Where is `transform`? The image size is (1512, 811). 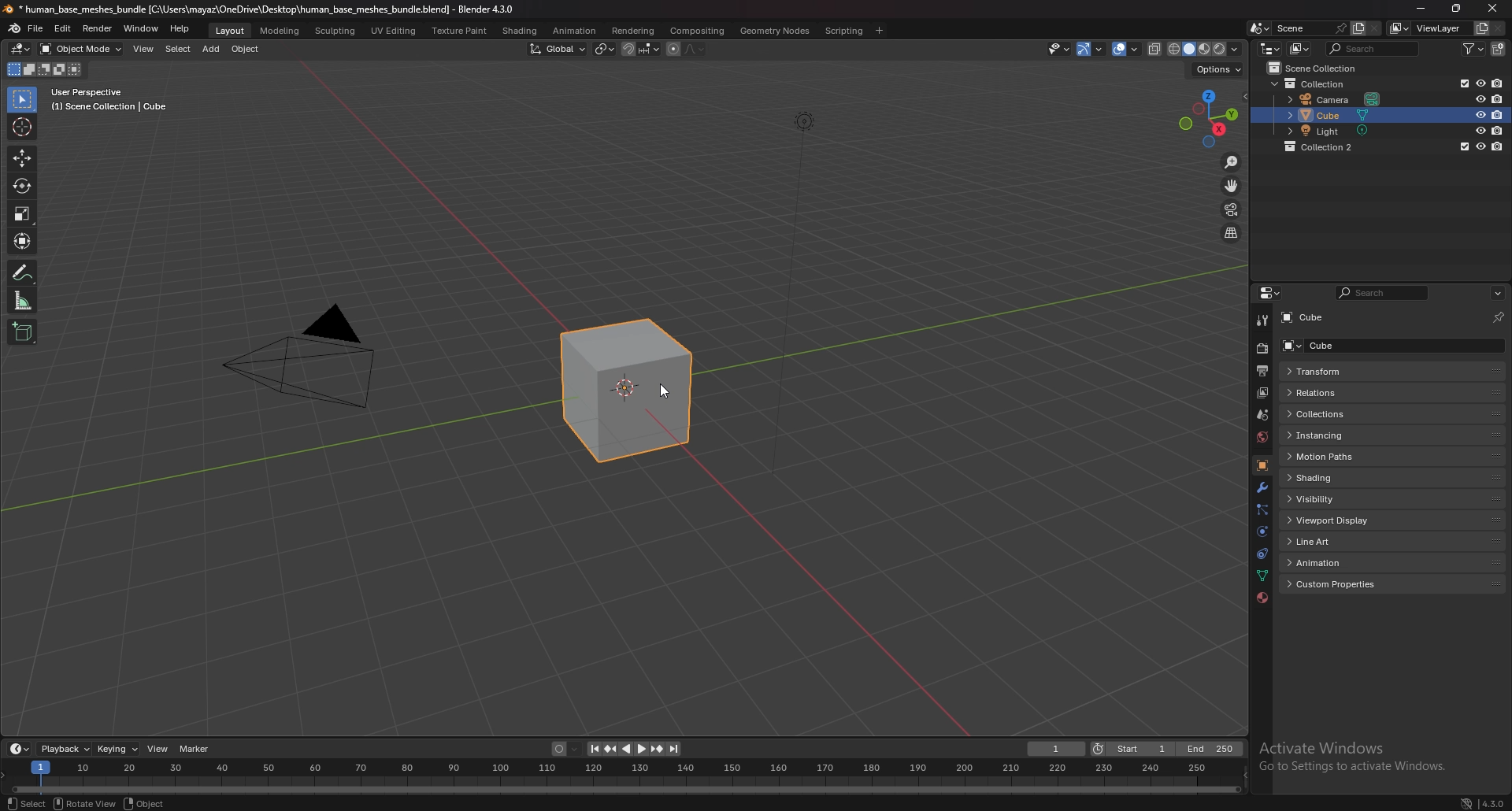 transform is located at coordinates (1338, 371).